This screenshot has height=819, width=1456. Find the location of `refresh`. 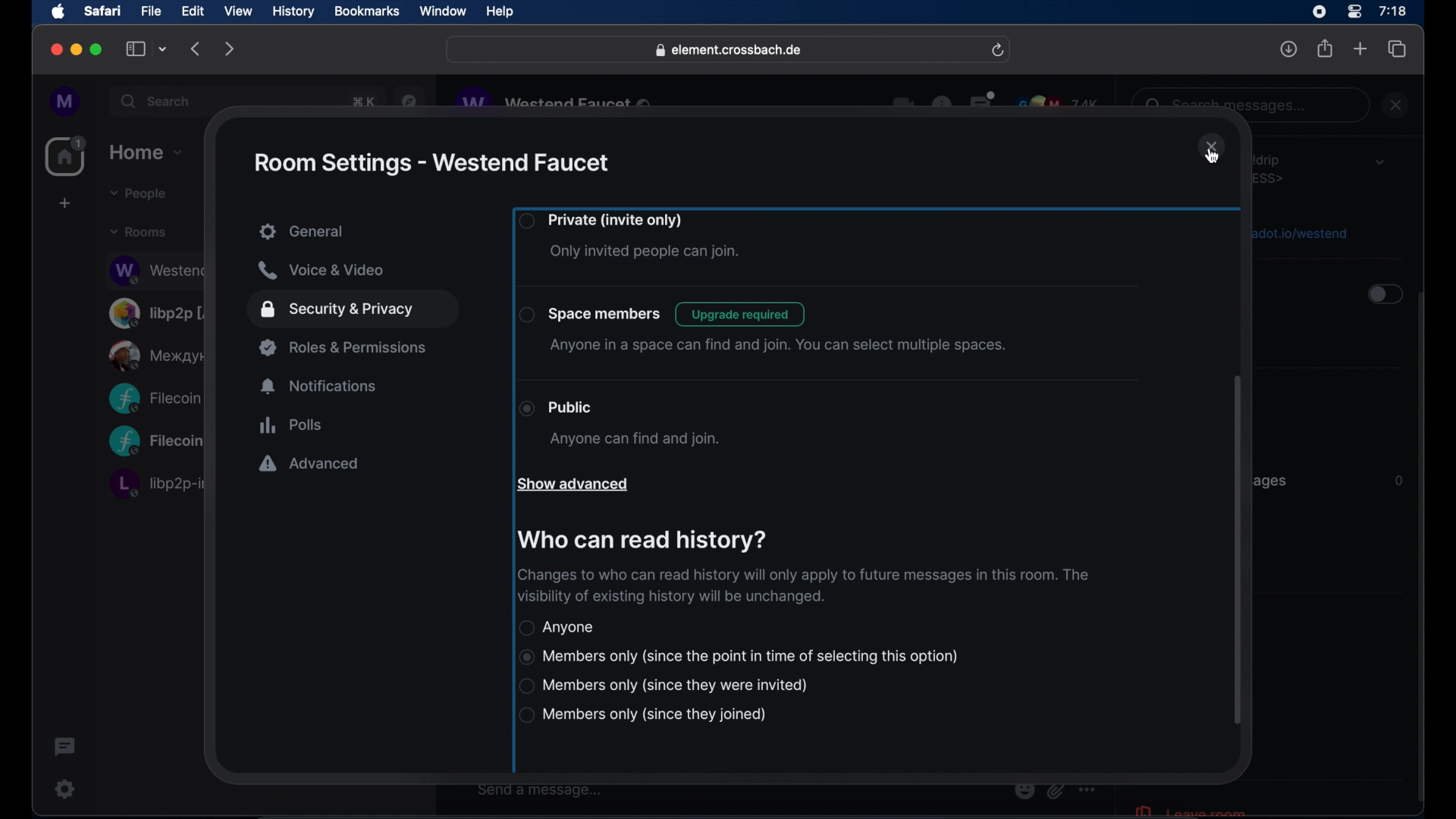

refresh is located at coordinates (997, 51).